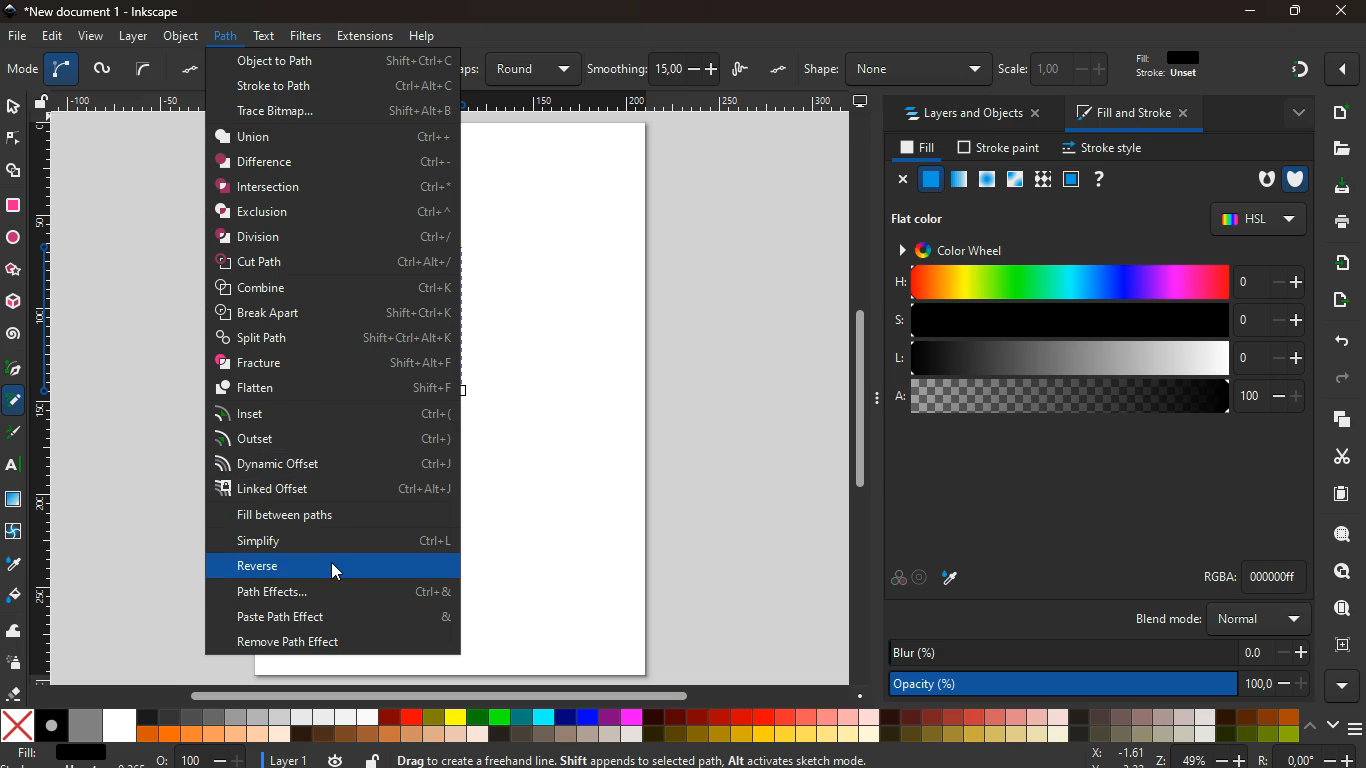 This screenshot has width=1366, height=768. I want to click on twist, so click(12, 534).